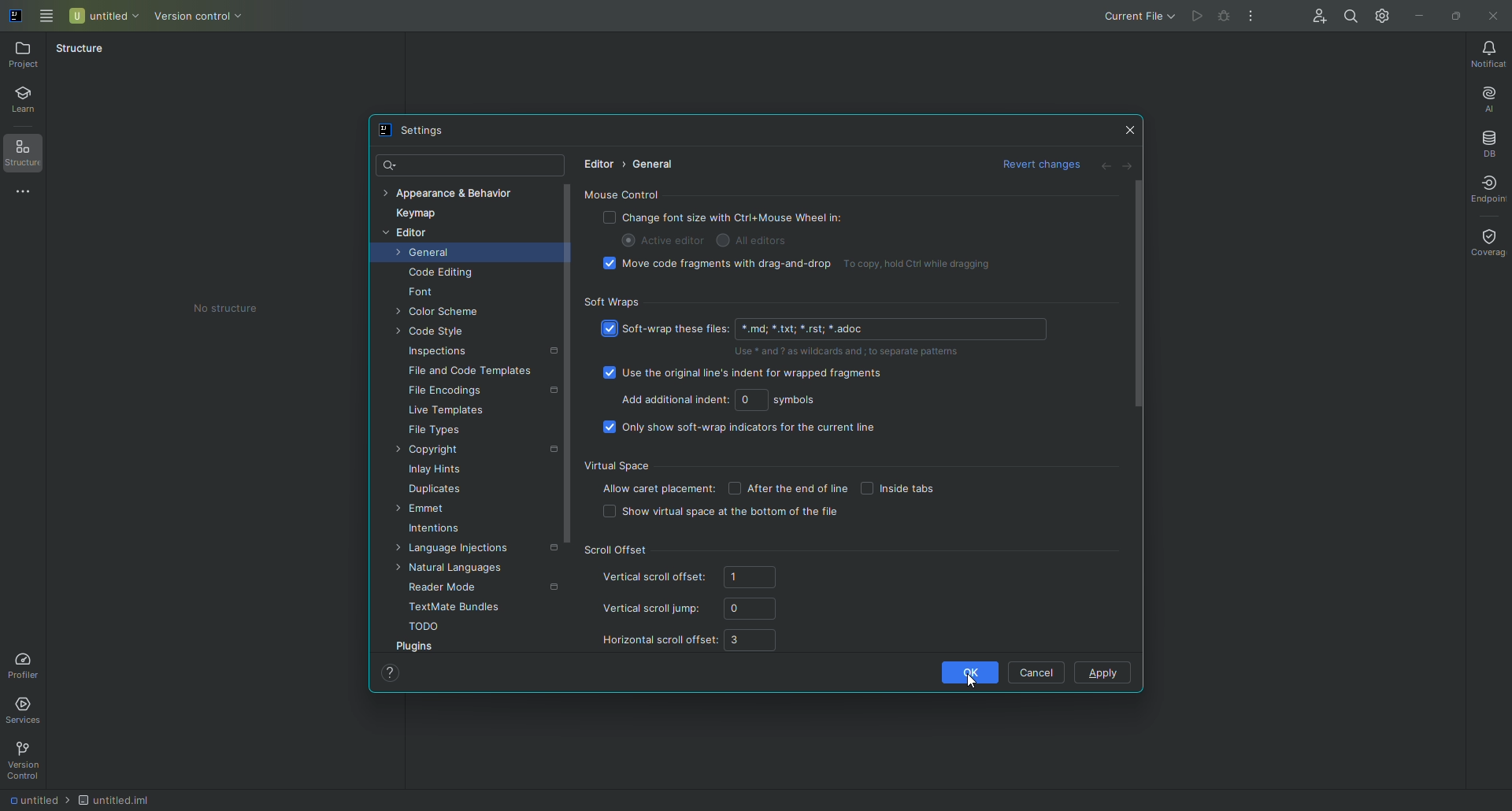 The width and height of the screenshot is (1512, 811). Describe the element at coordinates (450, 548) in the screenshot. I see `Language injections` at that location.